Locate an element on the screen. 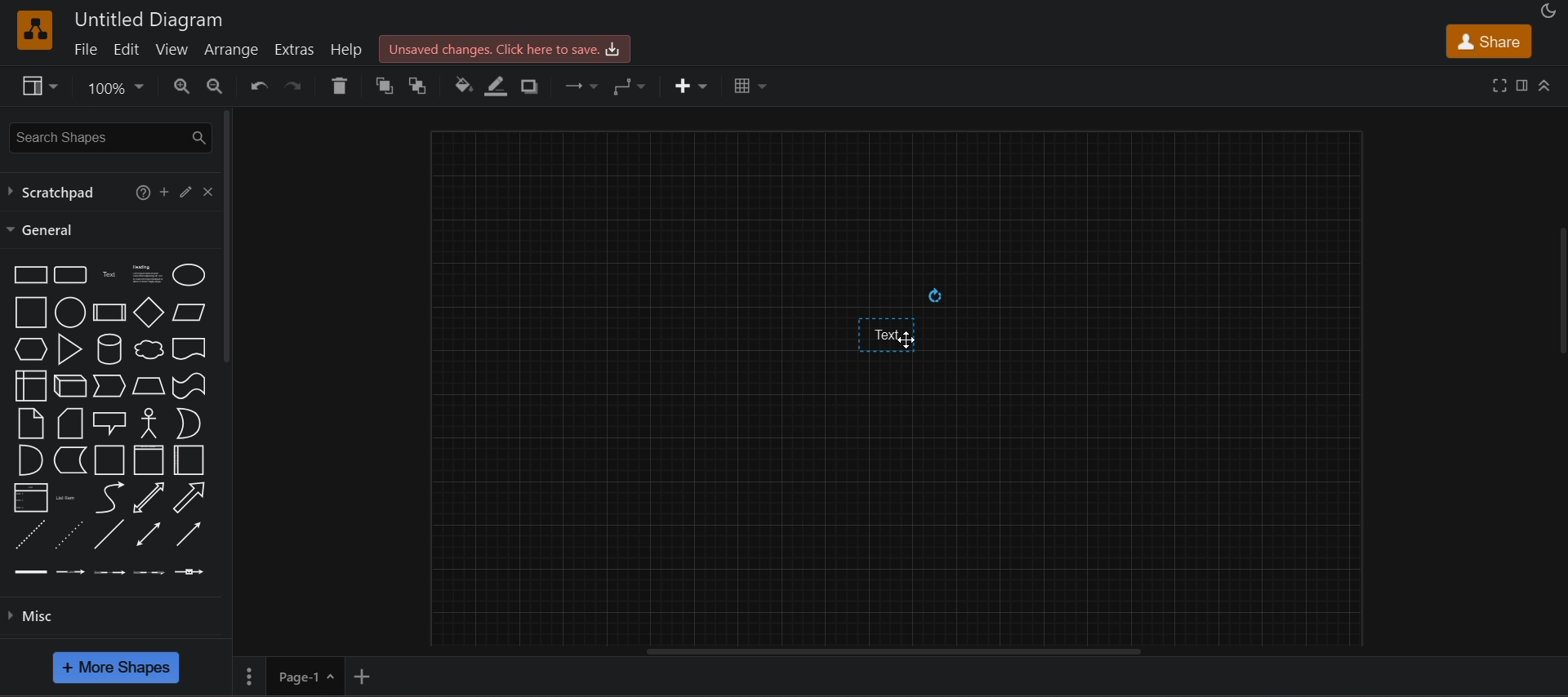 The image size is (1568, 697). zoom in is located at coordinates (182, 85).